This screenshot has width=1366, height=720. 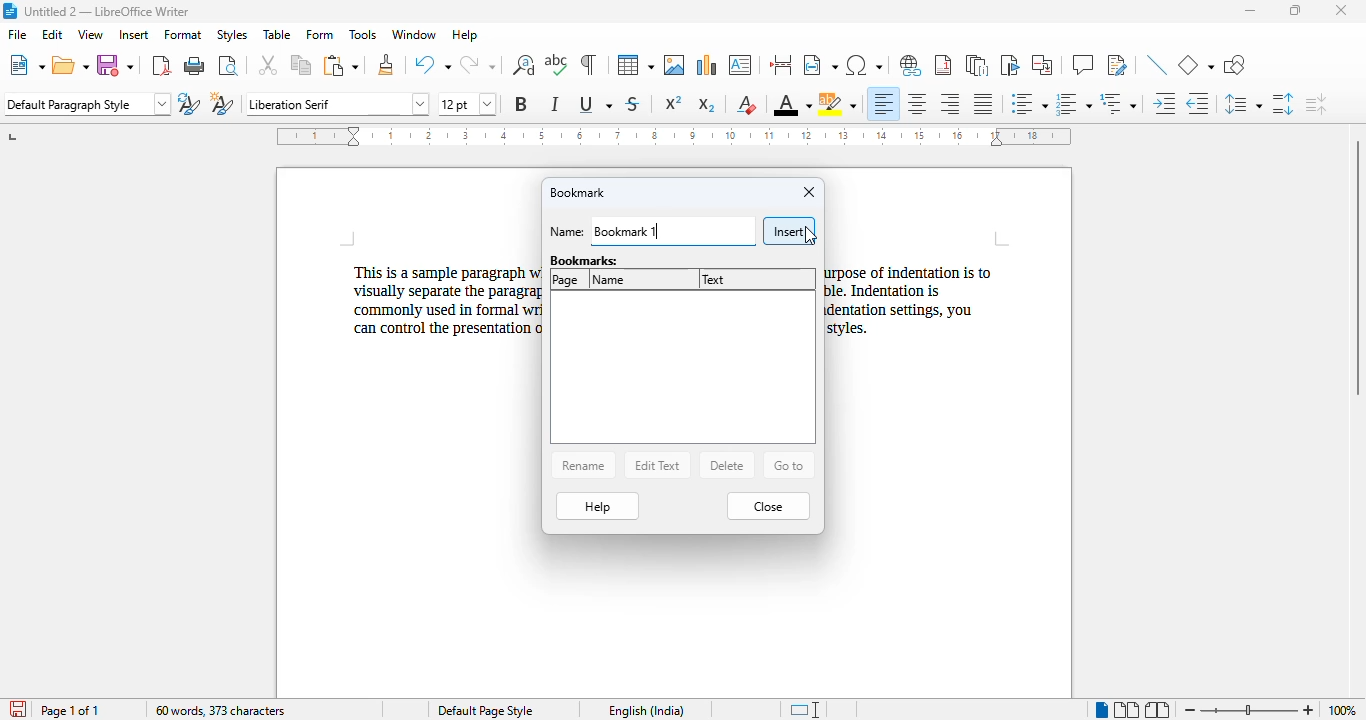 I want to click on undo, so click(x=432, y=64).